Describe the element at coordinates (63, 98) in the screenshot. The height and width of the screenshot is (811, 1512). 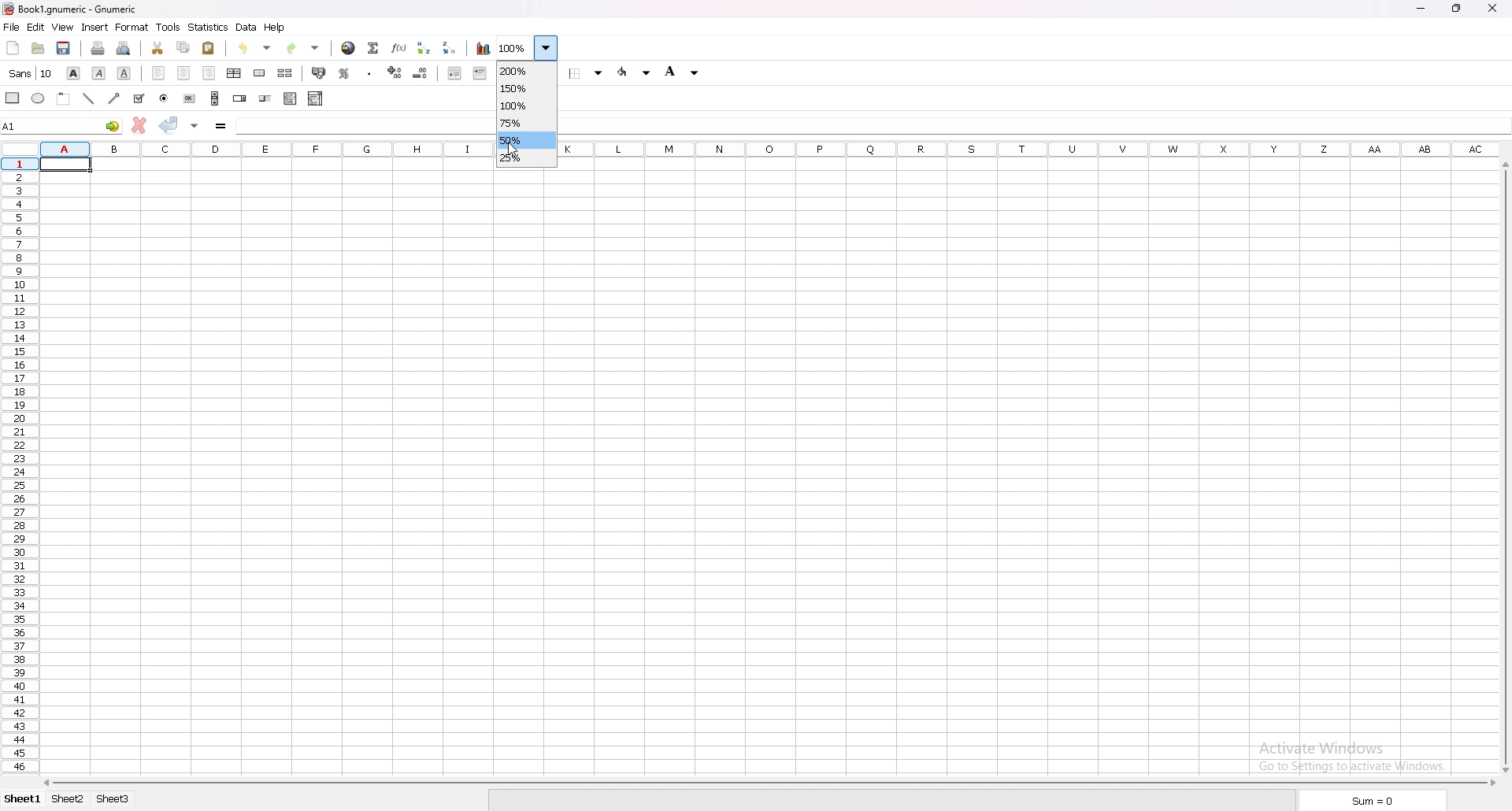
I see `frame` at that location.